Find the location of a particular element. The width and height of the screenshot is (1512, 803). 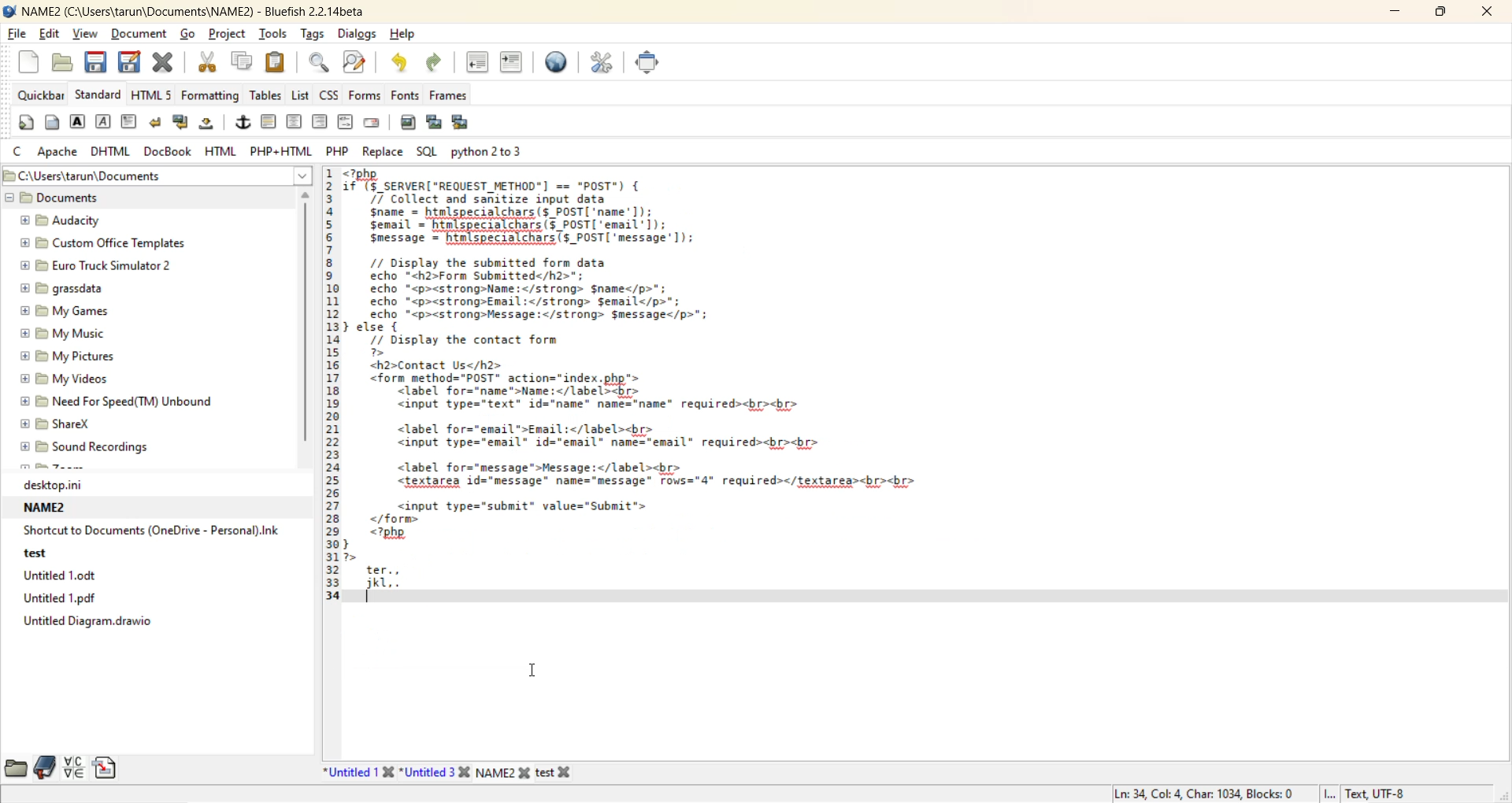

cursor is located at coordinates (530, 672).